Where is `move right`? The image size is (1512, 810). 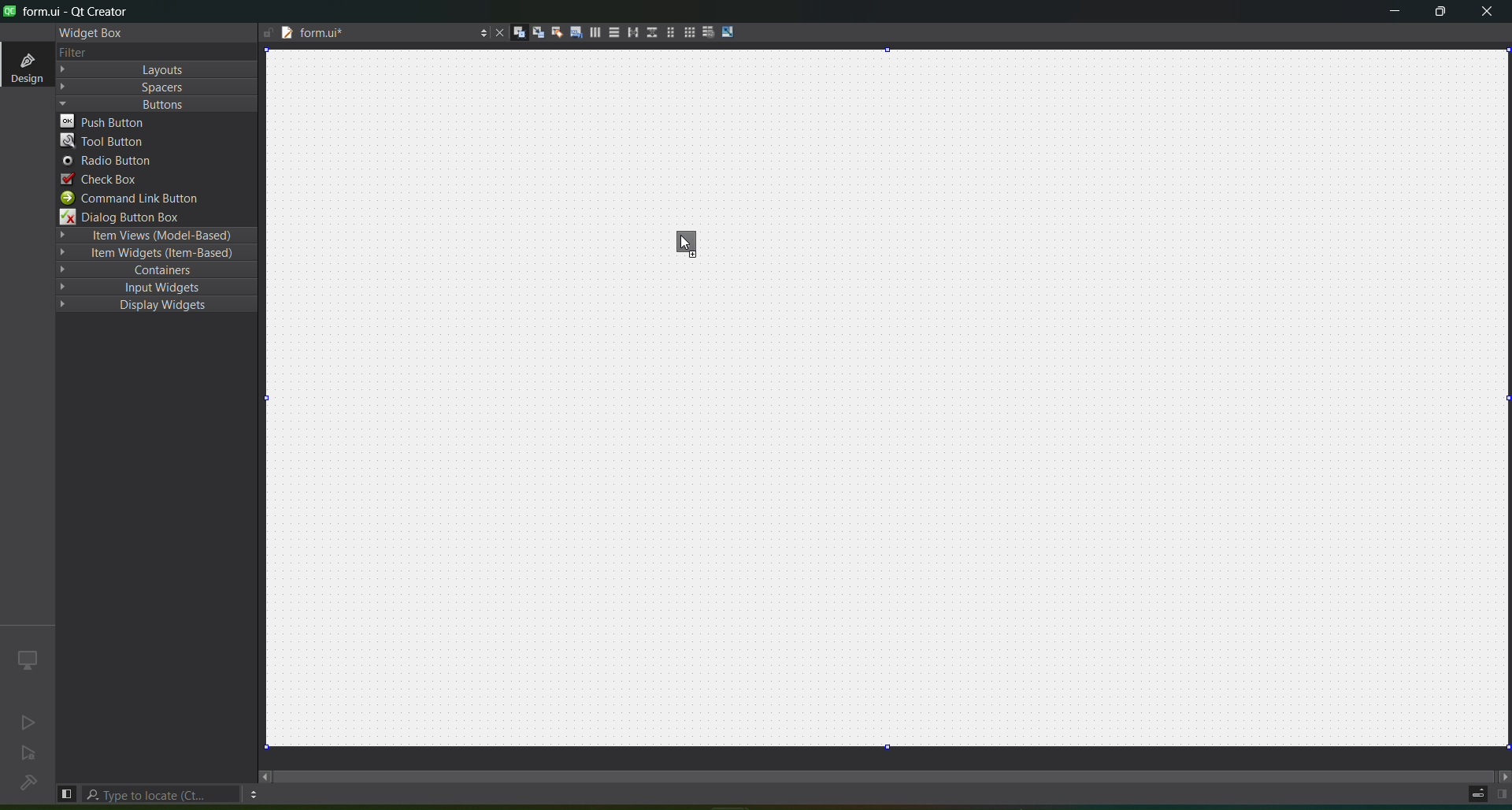
move right is located at coordinates (1503, 773).